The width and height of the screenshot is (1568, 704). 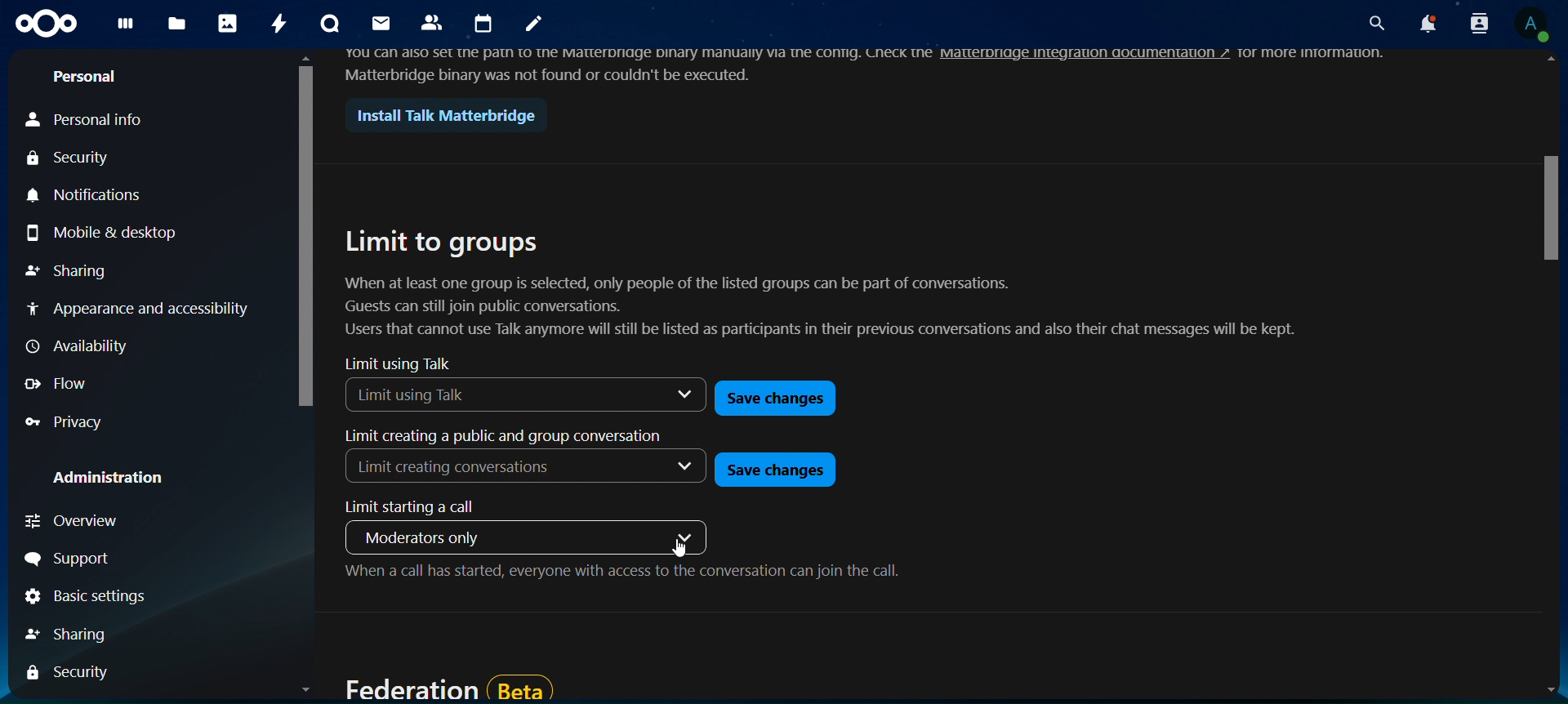 I want to click on personal, so click(x=90, y=78).